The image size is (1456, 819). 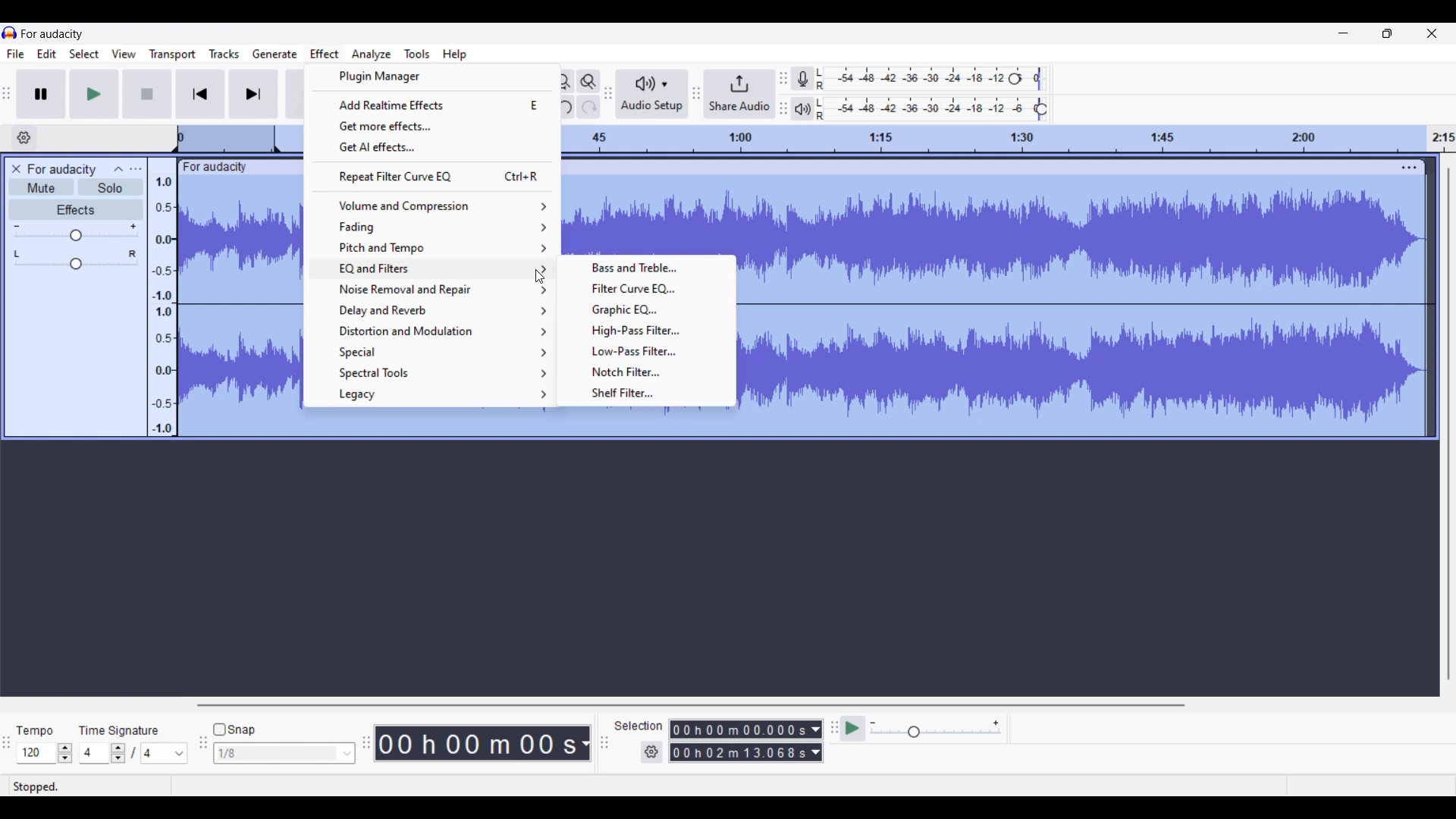 What do you see at coordinates (649, 288) in the screenshot?
I see `Filter curve EQ` at bounding box center [649, 288].